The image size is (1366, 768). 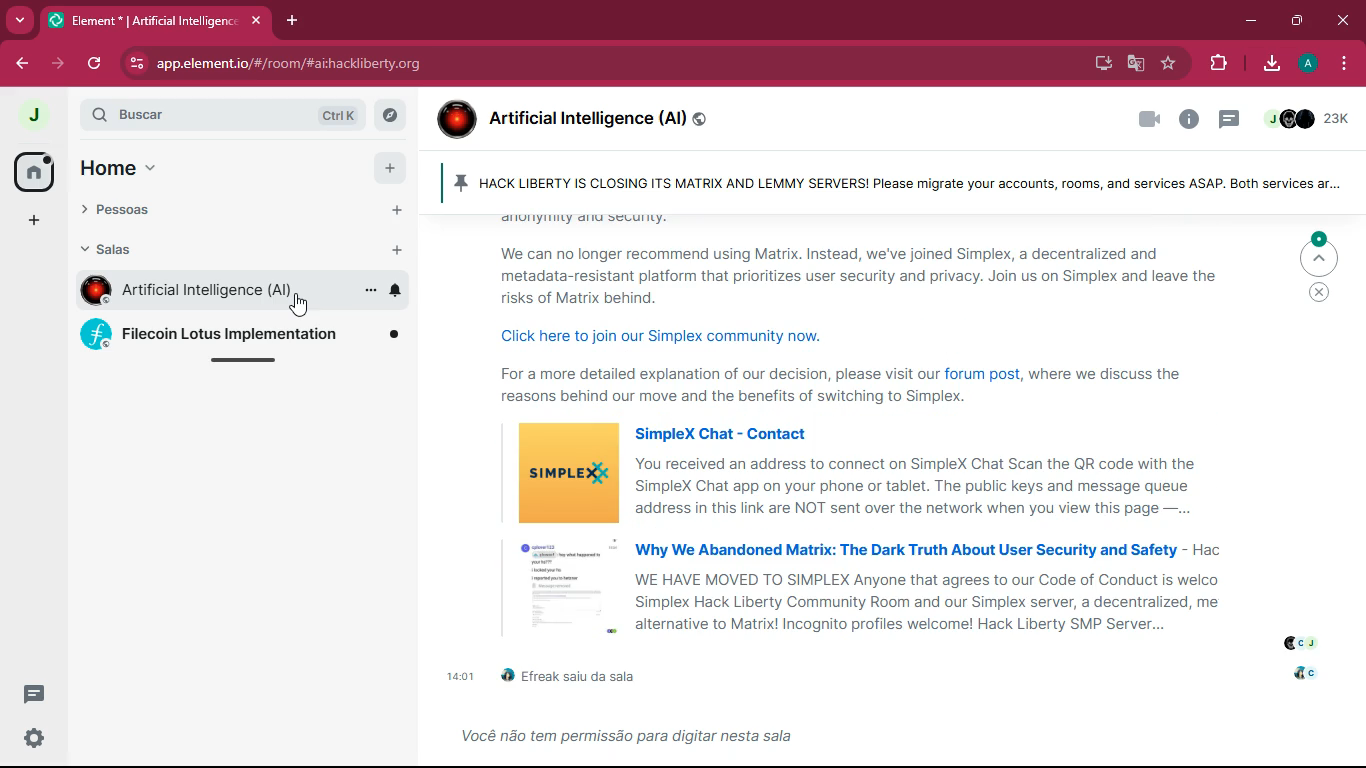 What do you see at coordinates (59, 65) in the screenshot?
I see `forward` at bounding box center [59, 65].